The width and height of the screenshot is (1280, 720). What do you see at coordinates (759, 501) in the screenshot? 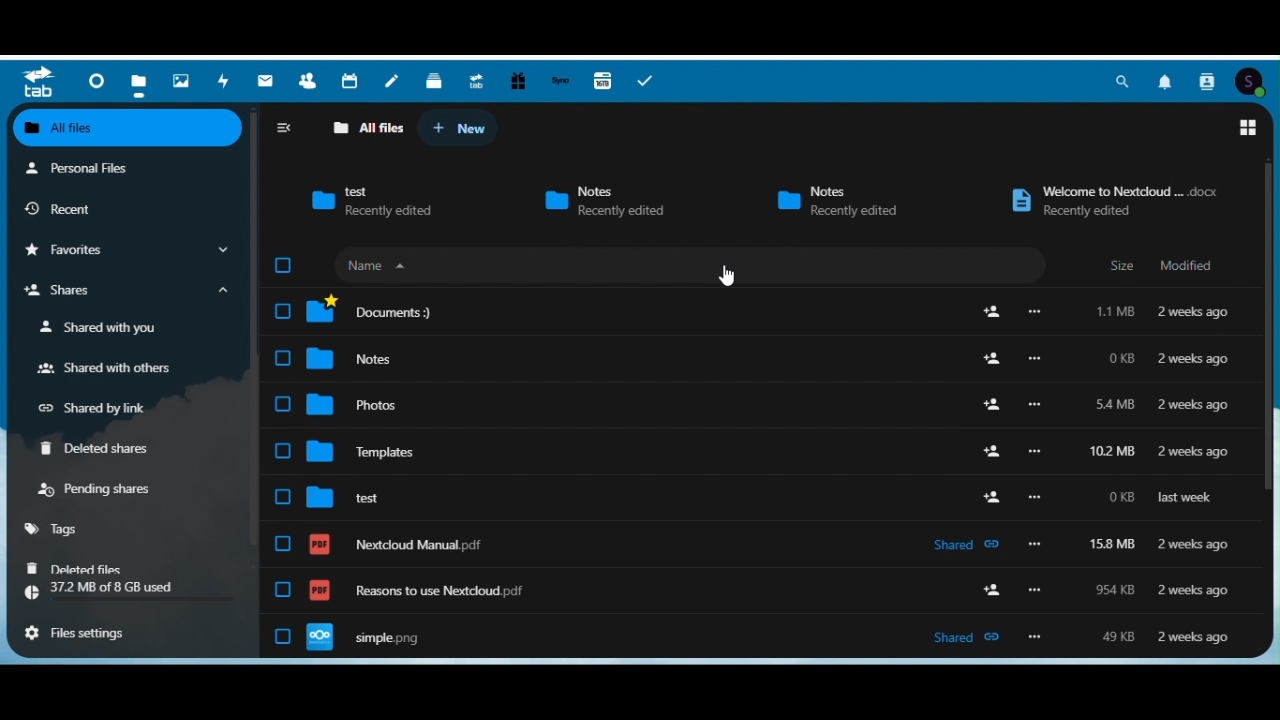
I see `text` at bounding box center [759, 501].